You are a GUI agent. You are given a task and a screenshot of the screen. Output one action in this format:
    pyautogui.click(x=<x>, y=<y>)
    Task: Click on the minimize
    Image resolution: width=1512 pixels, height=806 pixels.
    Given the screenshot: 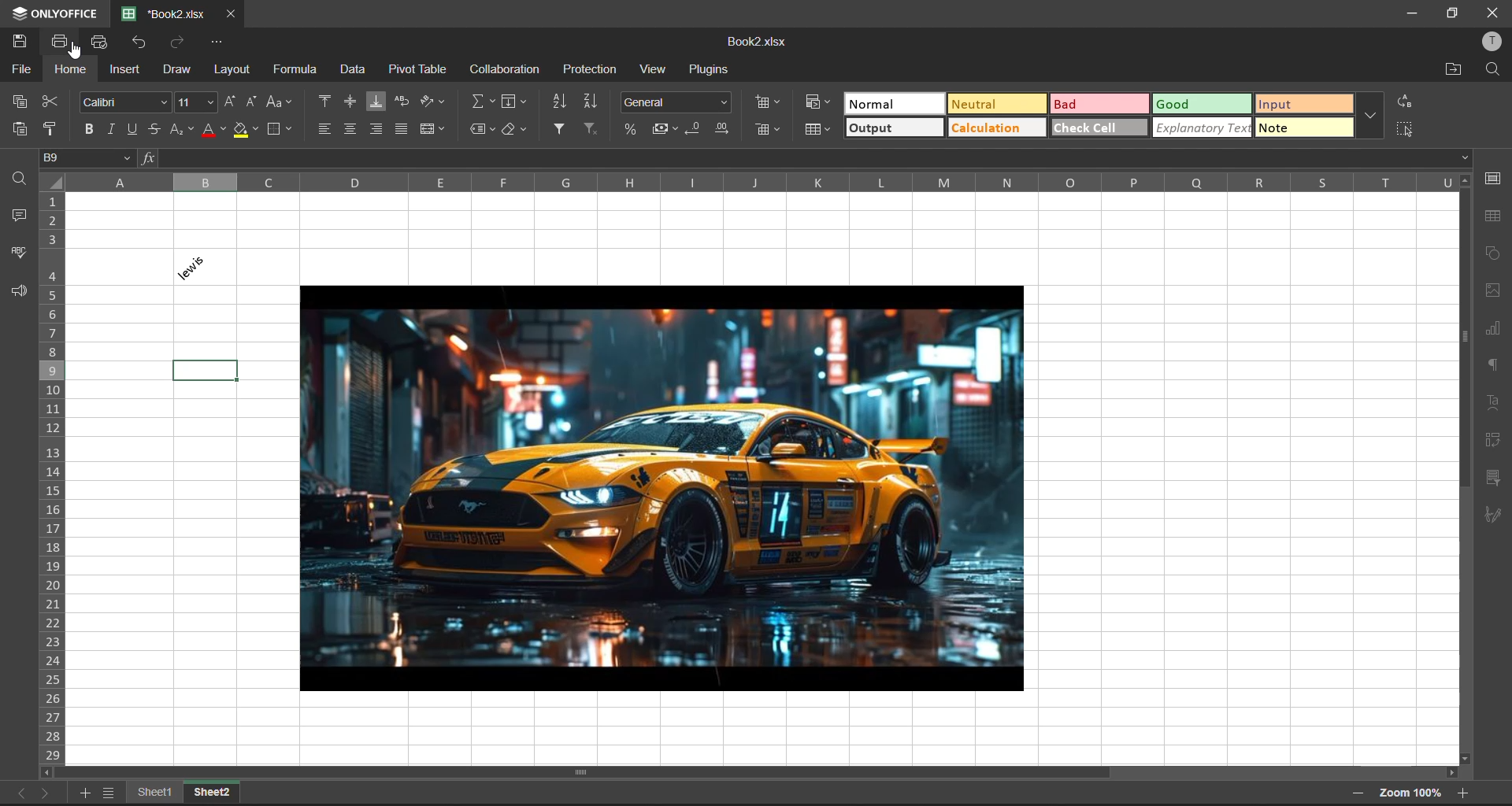 What is the action you would take?
    pyautogui.click(x=1409, y=12)
    